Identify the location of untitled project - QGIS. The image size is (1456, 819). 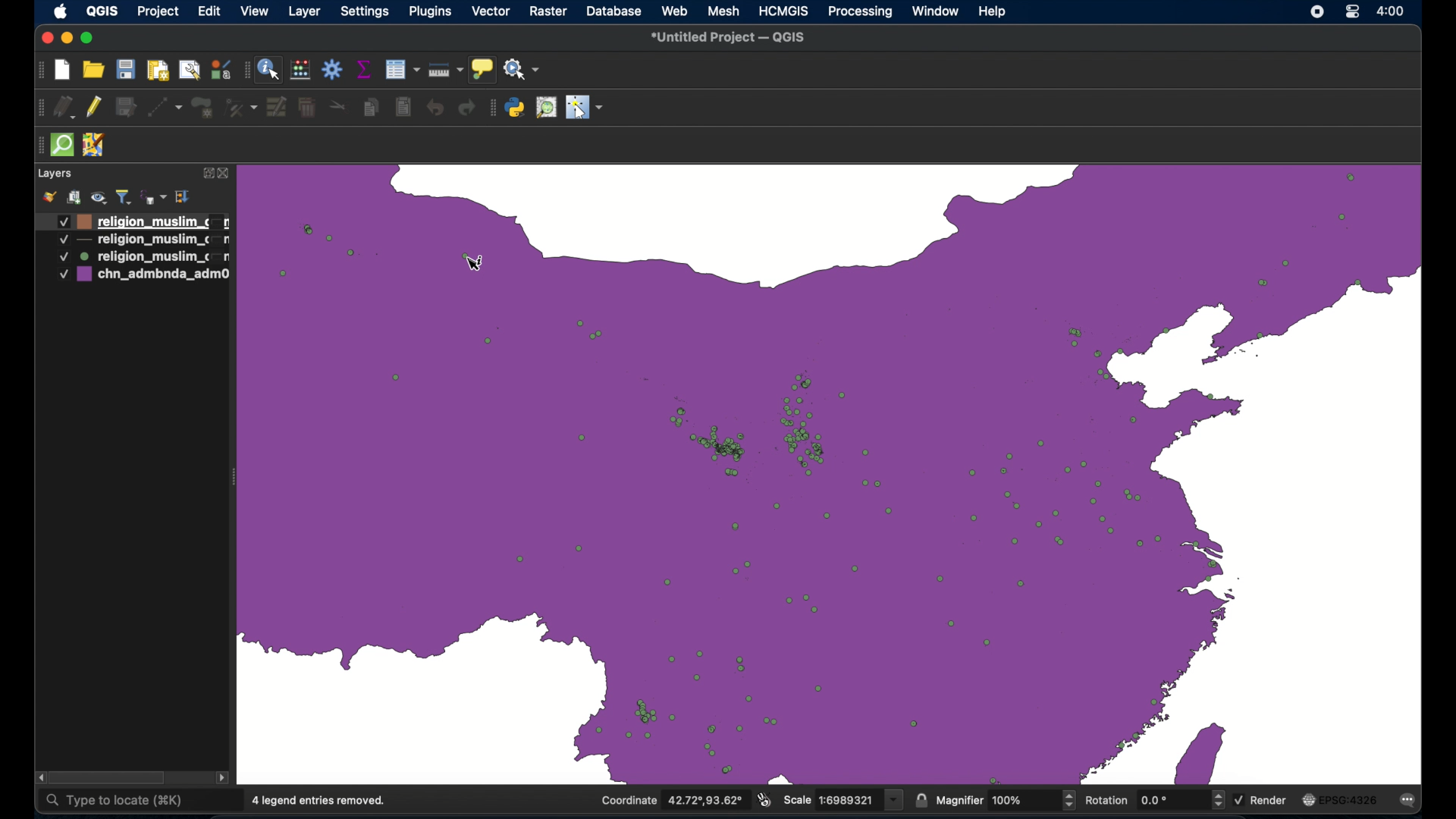
(727, 39).